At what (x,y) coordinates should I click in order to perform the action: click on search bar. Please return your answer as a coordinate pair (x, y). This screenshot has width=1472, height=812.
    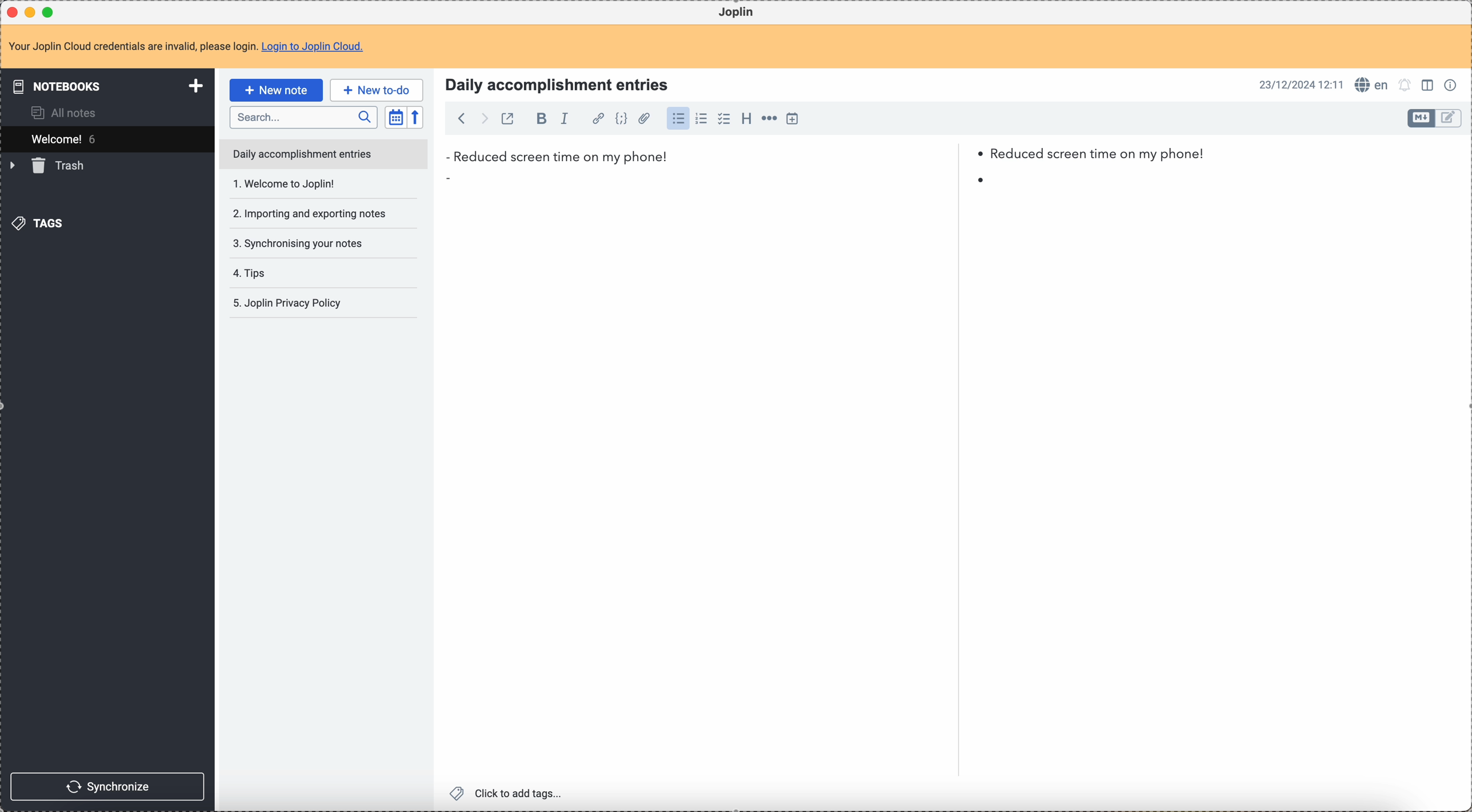
    Looking at the image, I should click on (303, 116).